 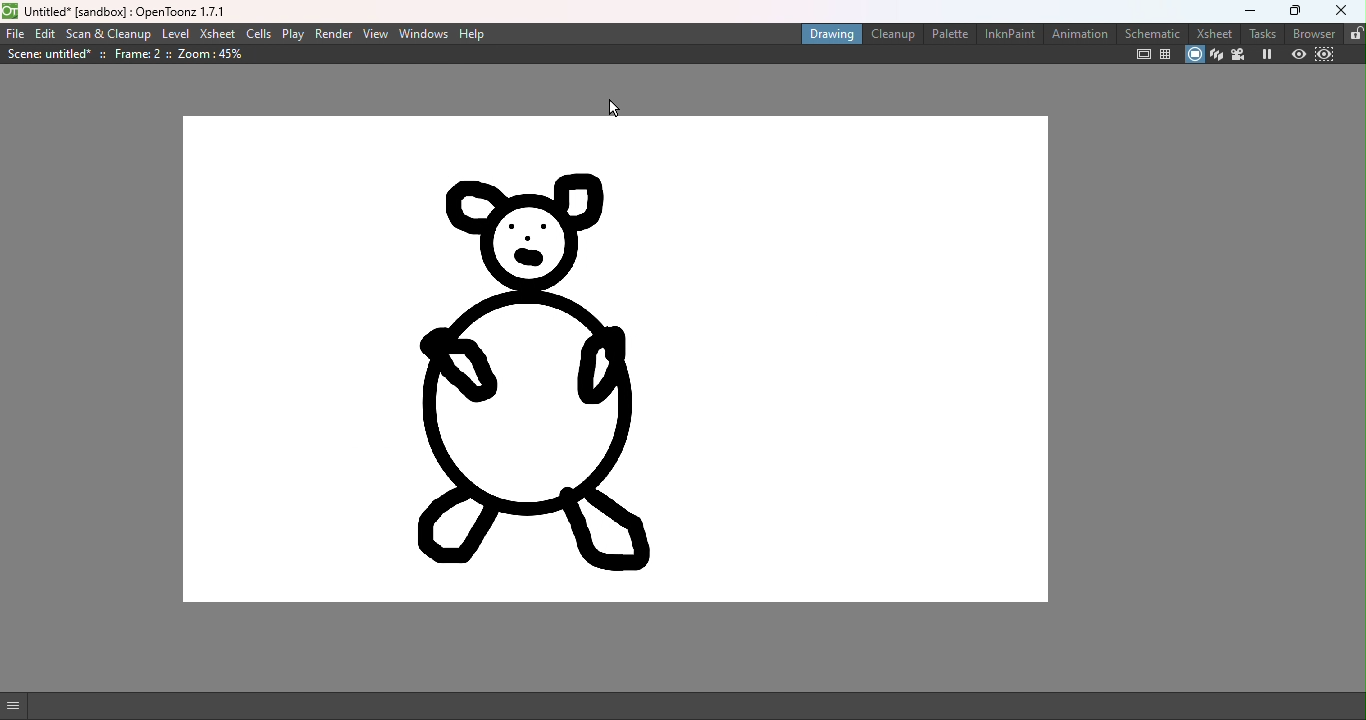 I want to click on Canvas, so click(x=622, y=356).